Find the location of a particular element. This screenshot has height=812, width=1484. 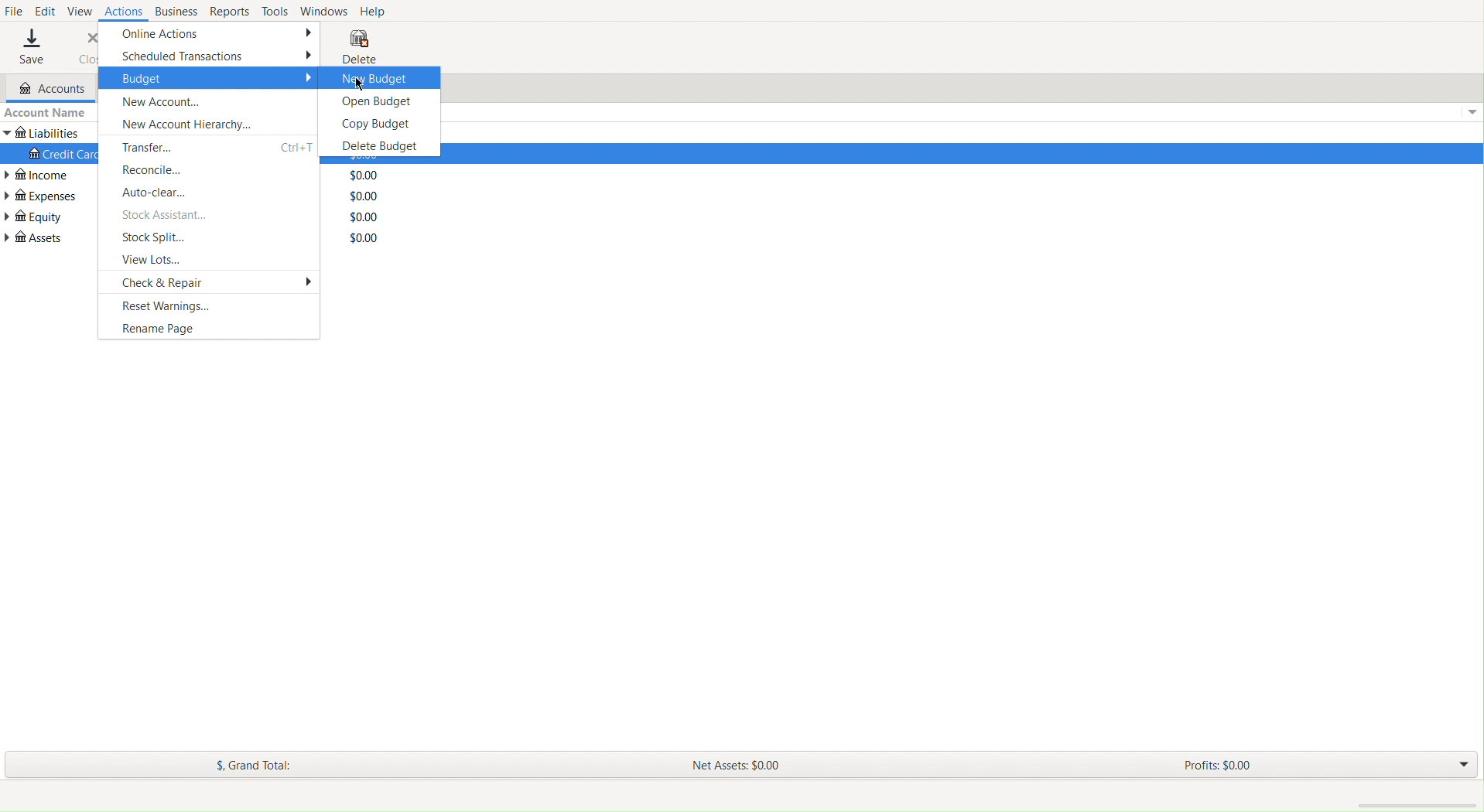

New Budget is located at coordinates (370, 77).